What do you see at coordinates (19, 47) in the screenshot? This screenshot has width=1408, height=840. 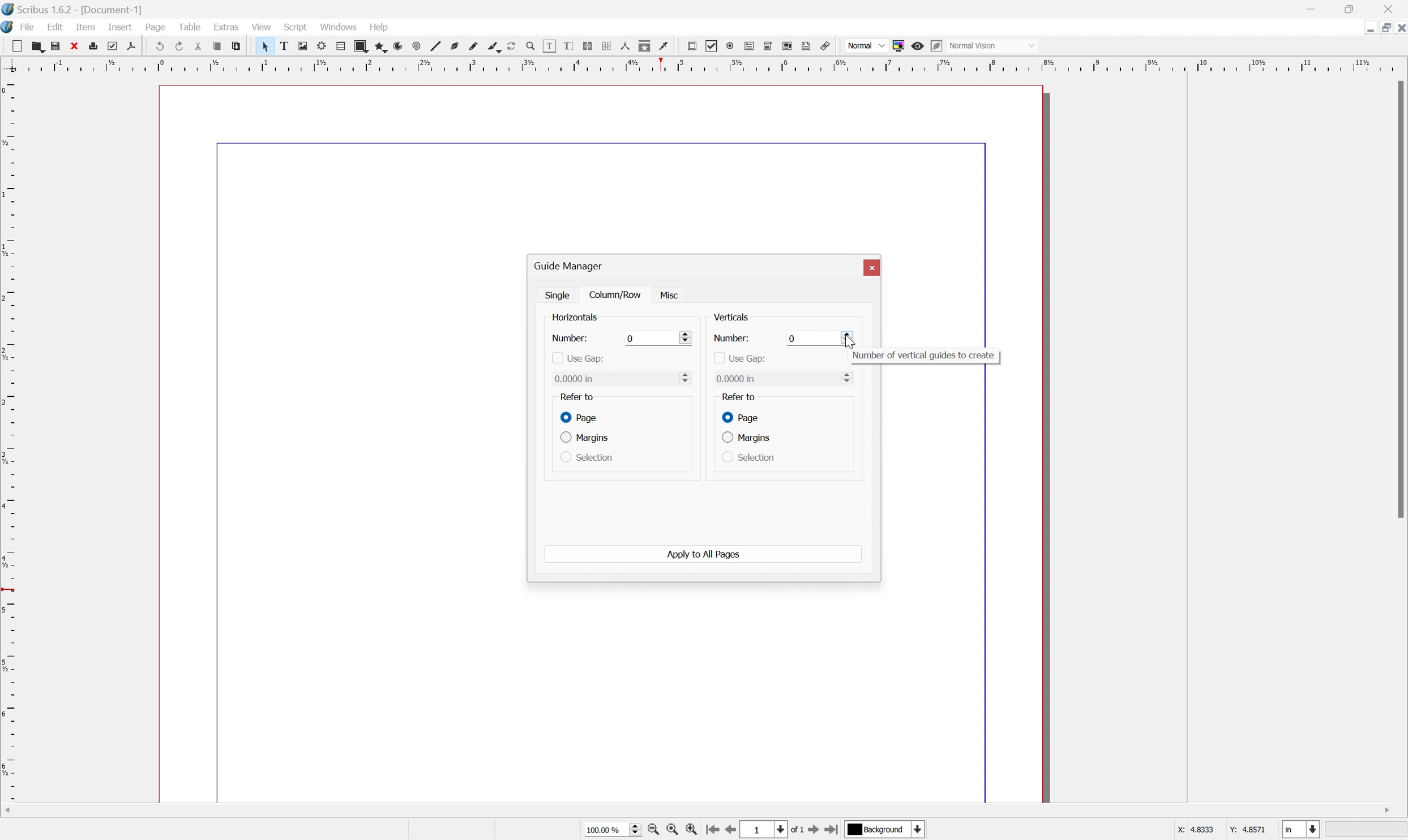 I see `new` at bounding box center [19, 47].